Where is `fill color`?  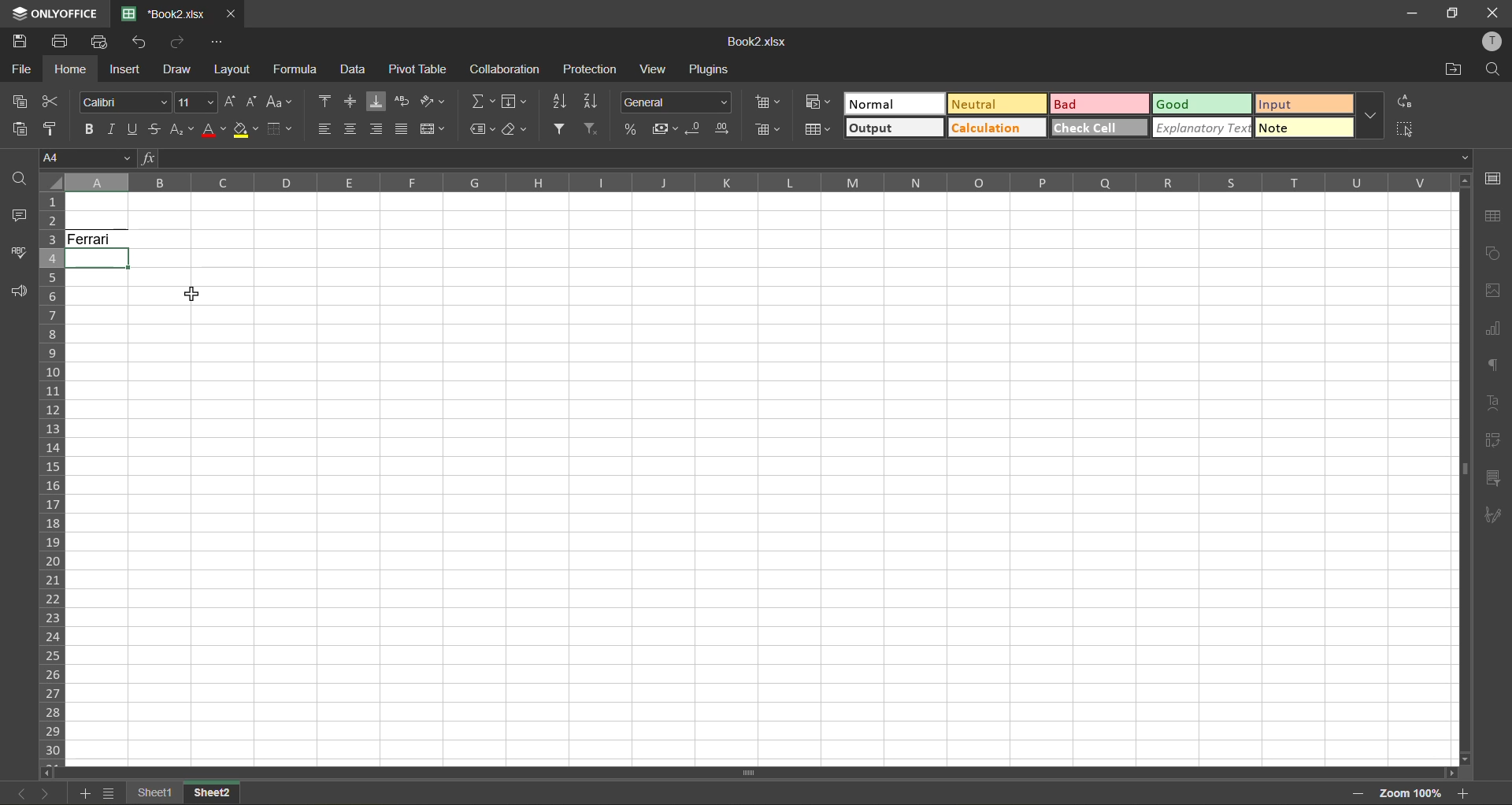
fill color is located at coordinates (242, 129).